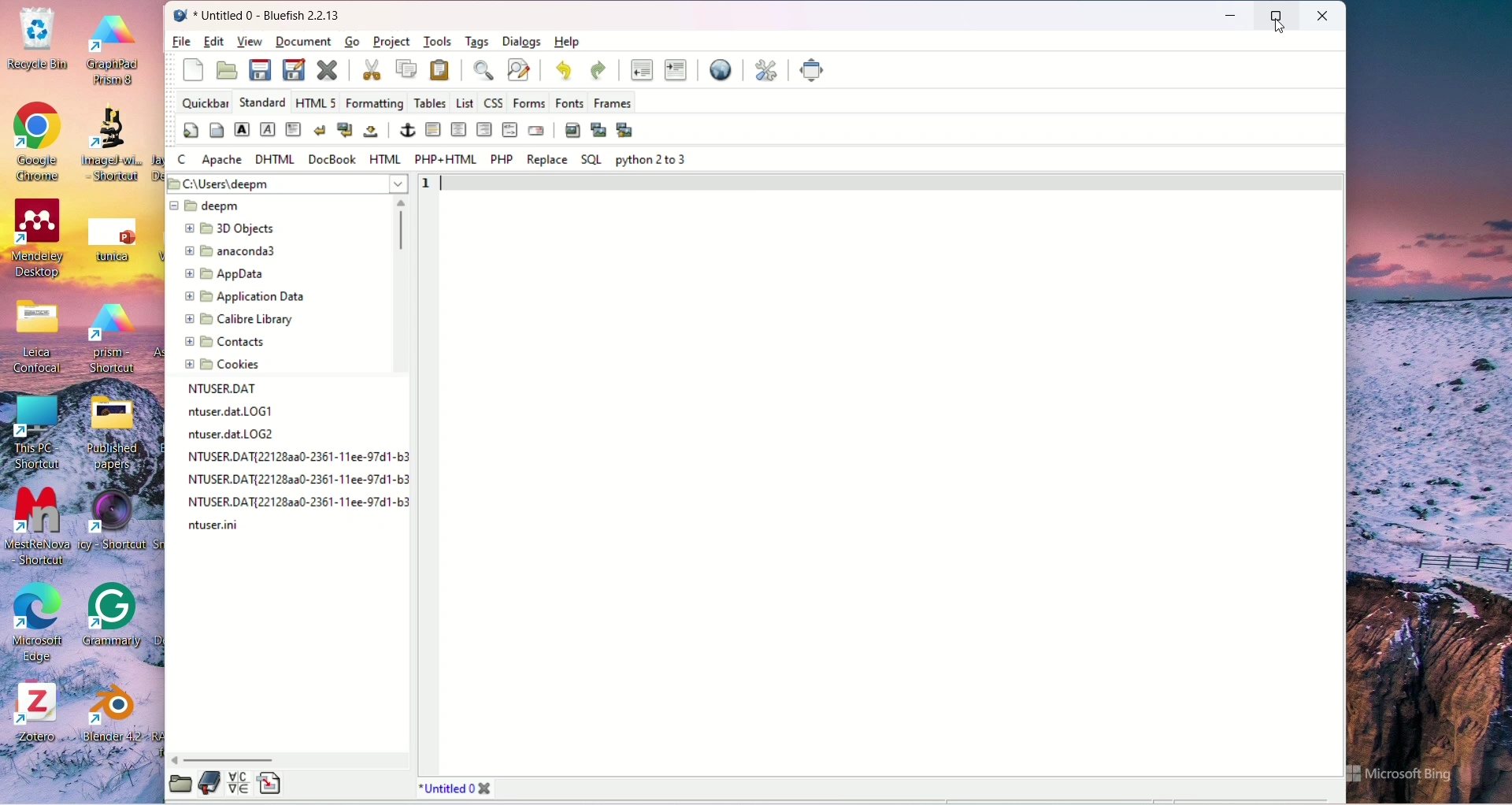 The width and height of the screenshot is (1512, 805). What do you see at coordinates (439, 69) in the screenshot?
I see `paste` at bounding box center [439, 69].